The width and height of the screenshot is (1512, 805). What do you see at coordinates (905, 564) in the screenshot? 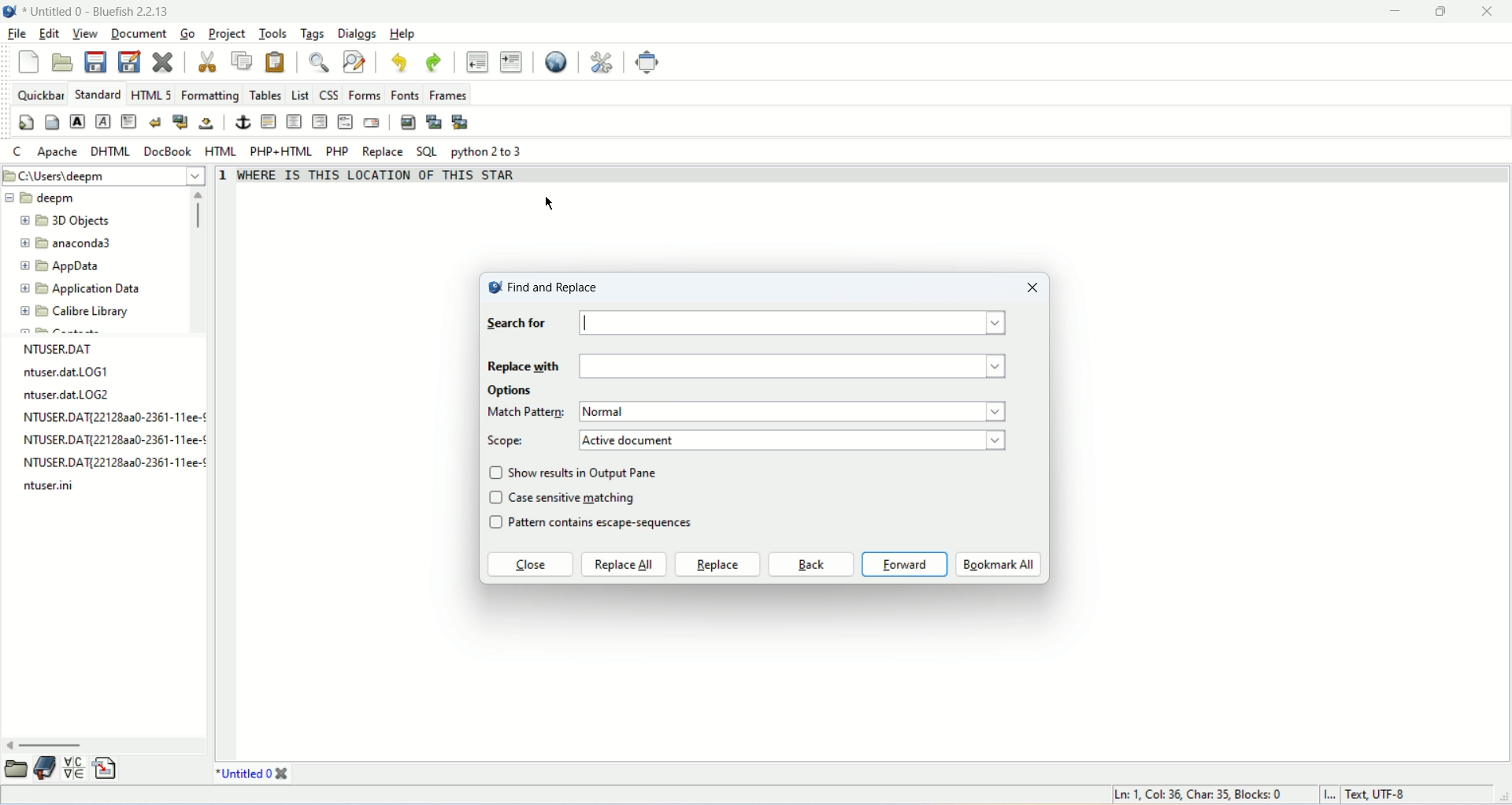
I see `forward` at bounding box center [905, 564].